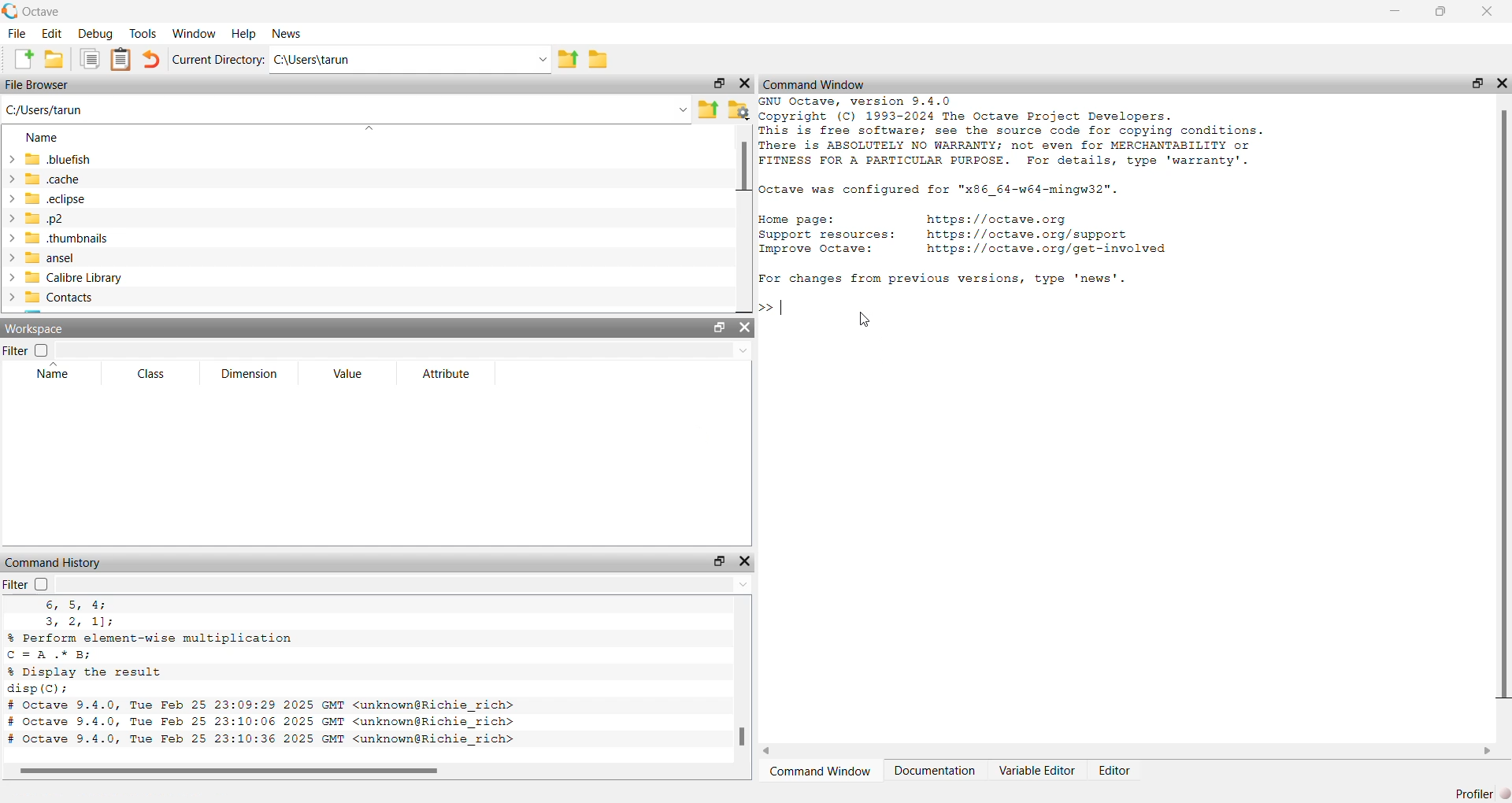 The height and width of the screenshot is (803, 1512). I want to click on Restore Down, so click(719, 83).